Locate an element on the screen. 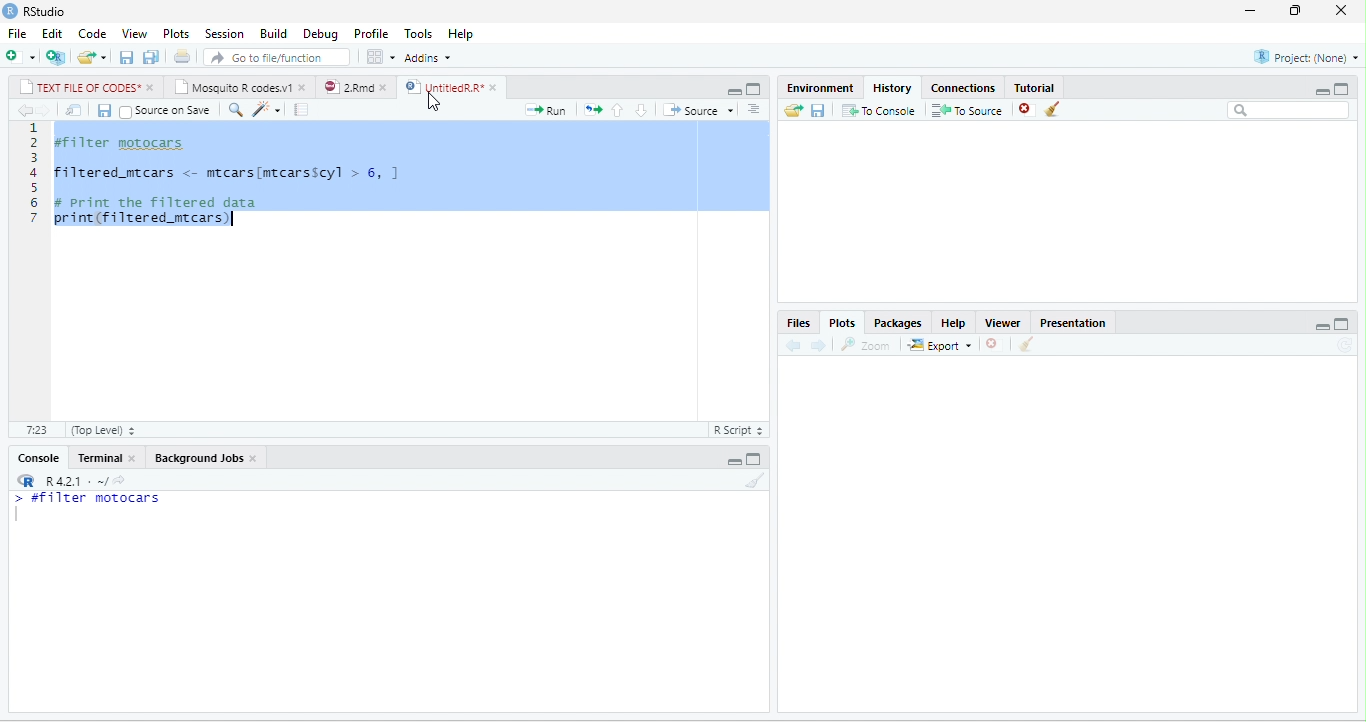  Build is located at coordinates (273, 33).